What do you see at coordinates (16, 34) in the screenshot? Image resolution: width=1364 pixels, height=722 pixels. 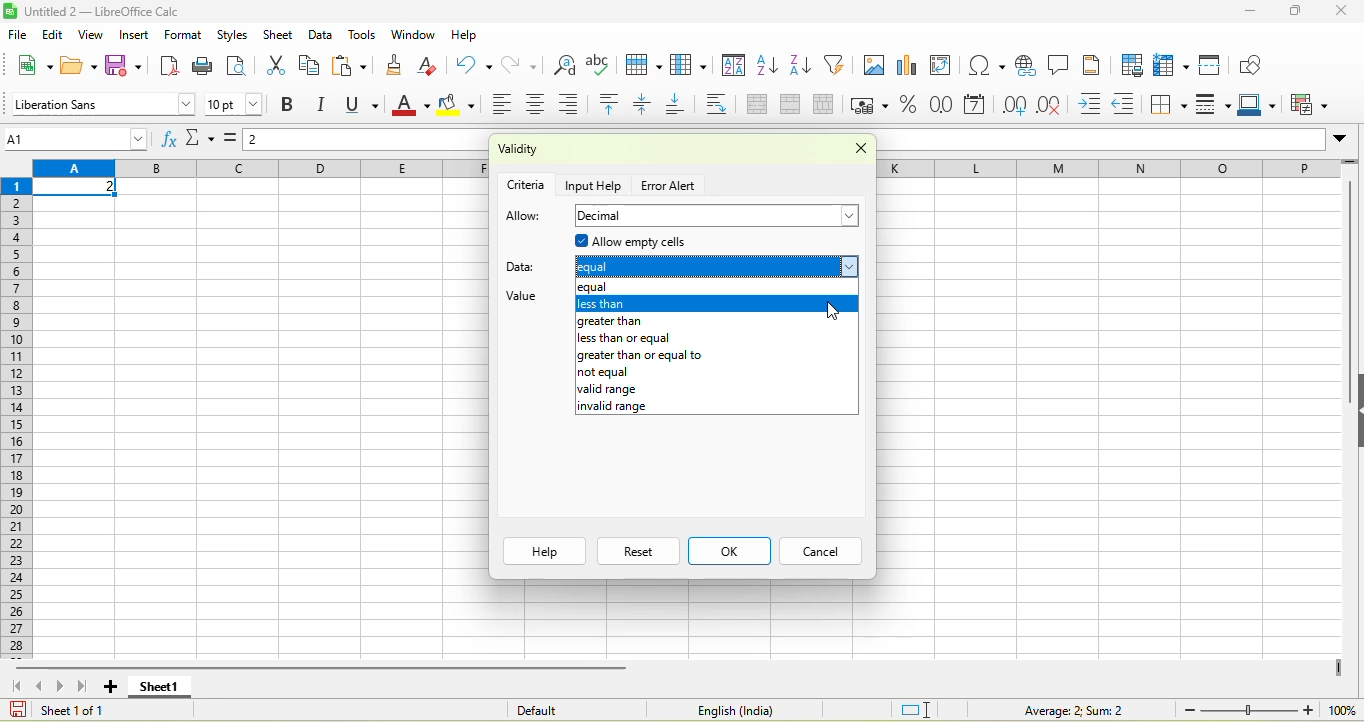 I see `file` at bounding box center [16, 34].